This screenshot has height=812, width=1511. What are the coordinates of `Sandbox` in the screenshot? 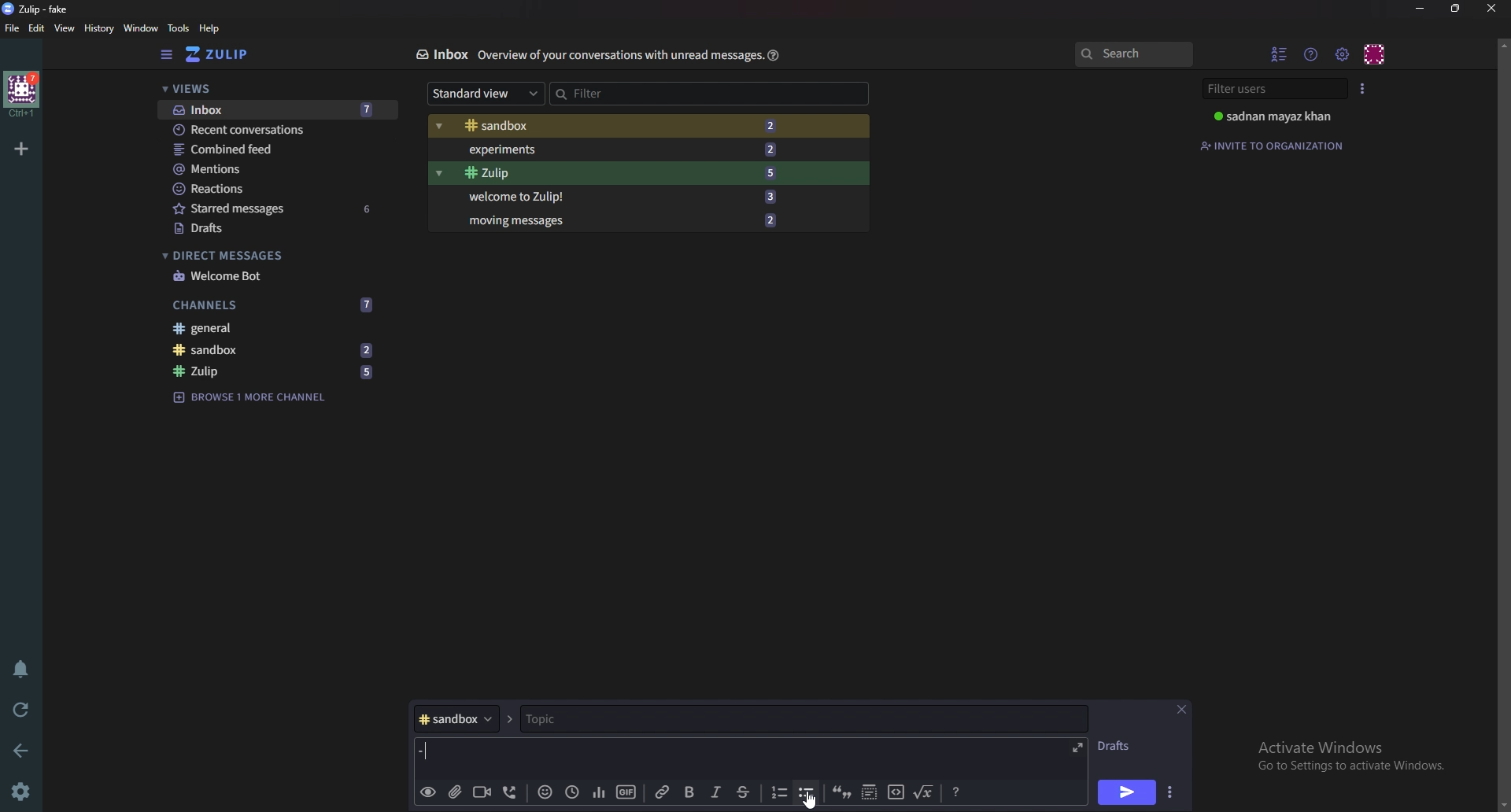 It's located at (273, 349).